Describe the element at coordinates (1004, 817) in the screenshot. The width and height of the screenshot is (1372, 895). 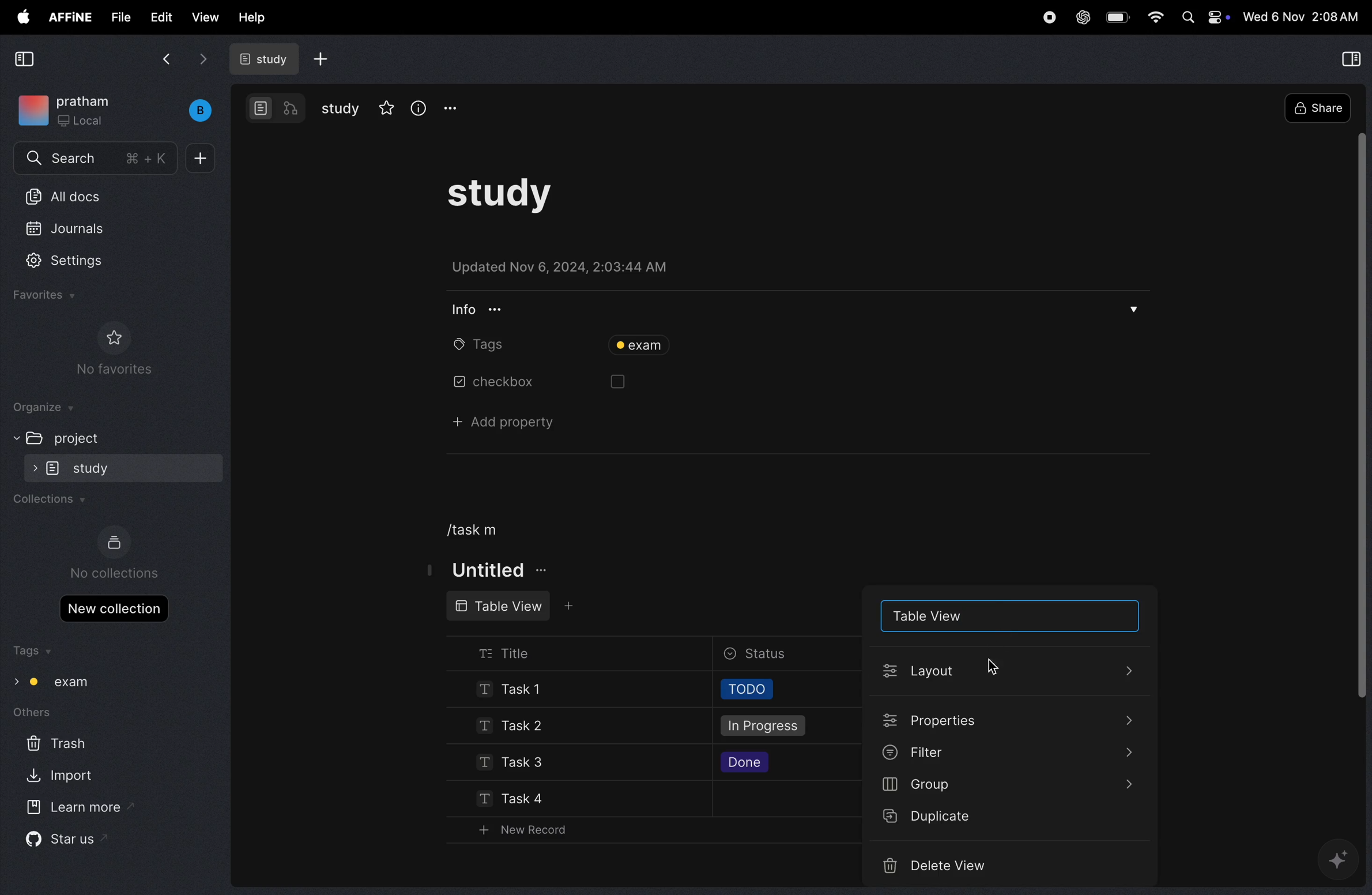
I see `duplicate` at that location.